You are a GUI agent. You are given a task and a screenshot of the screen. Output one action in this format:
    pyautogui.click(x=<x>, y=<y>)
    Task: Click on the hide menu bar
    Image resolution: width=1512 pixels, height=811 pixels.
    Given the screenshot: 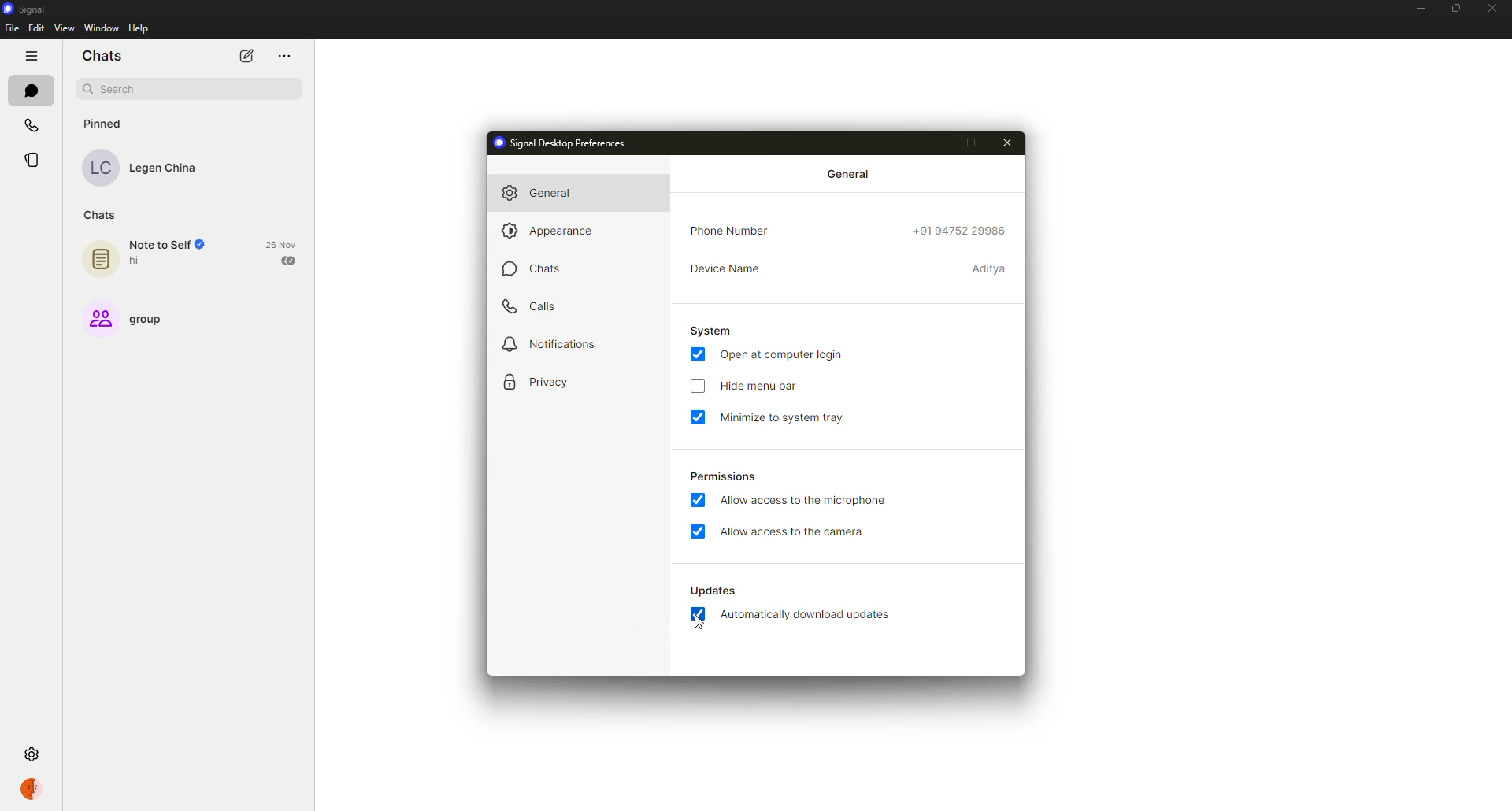 What is the action you would take?
    pyautogui.click(x=759, y=387)
    